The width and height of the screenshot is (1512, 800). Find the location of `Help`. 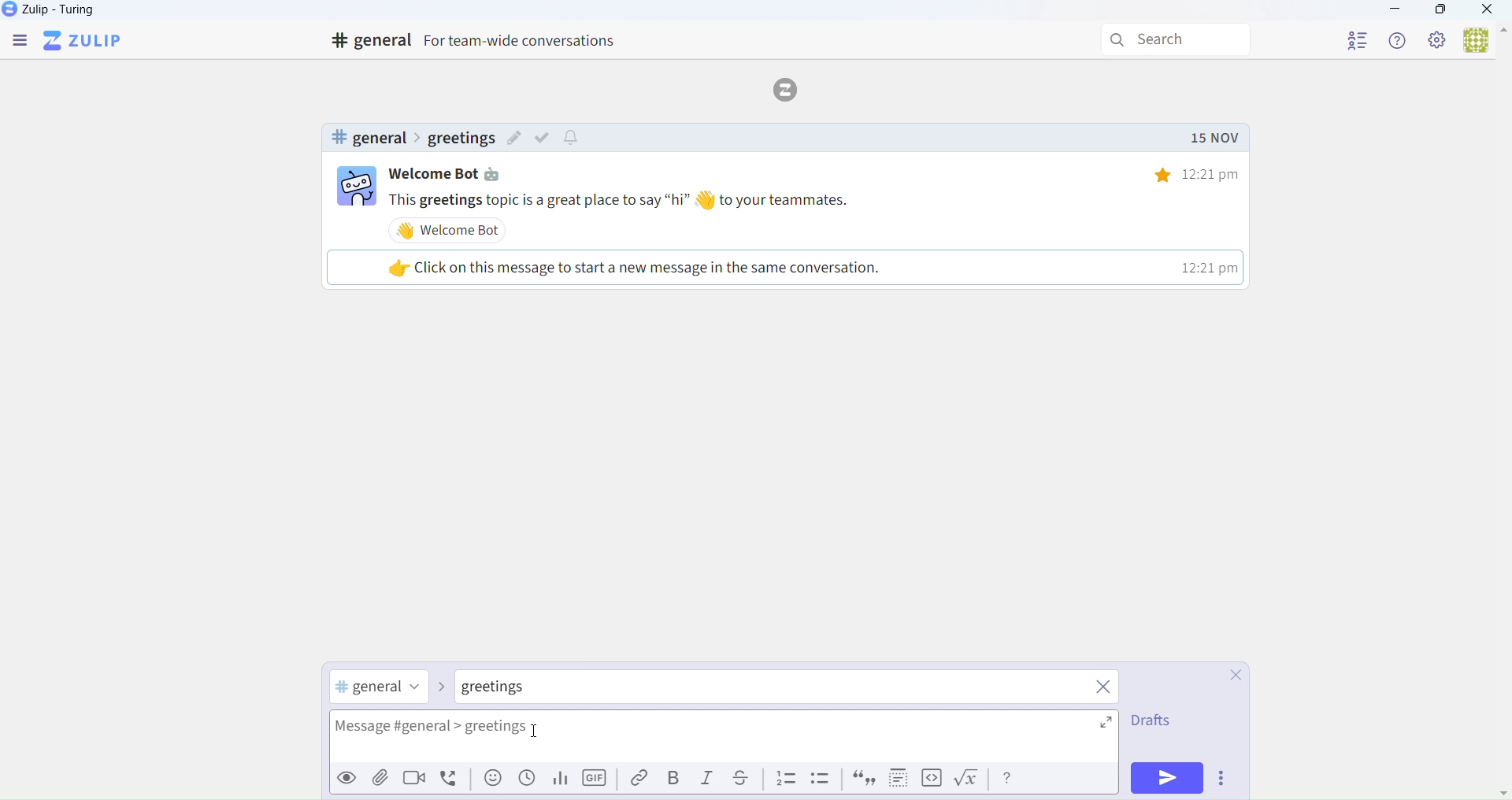

Help is located at coordinates (1009, 778).